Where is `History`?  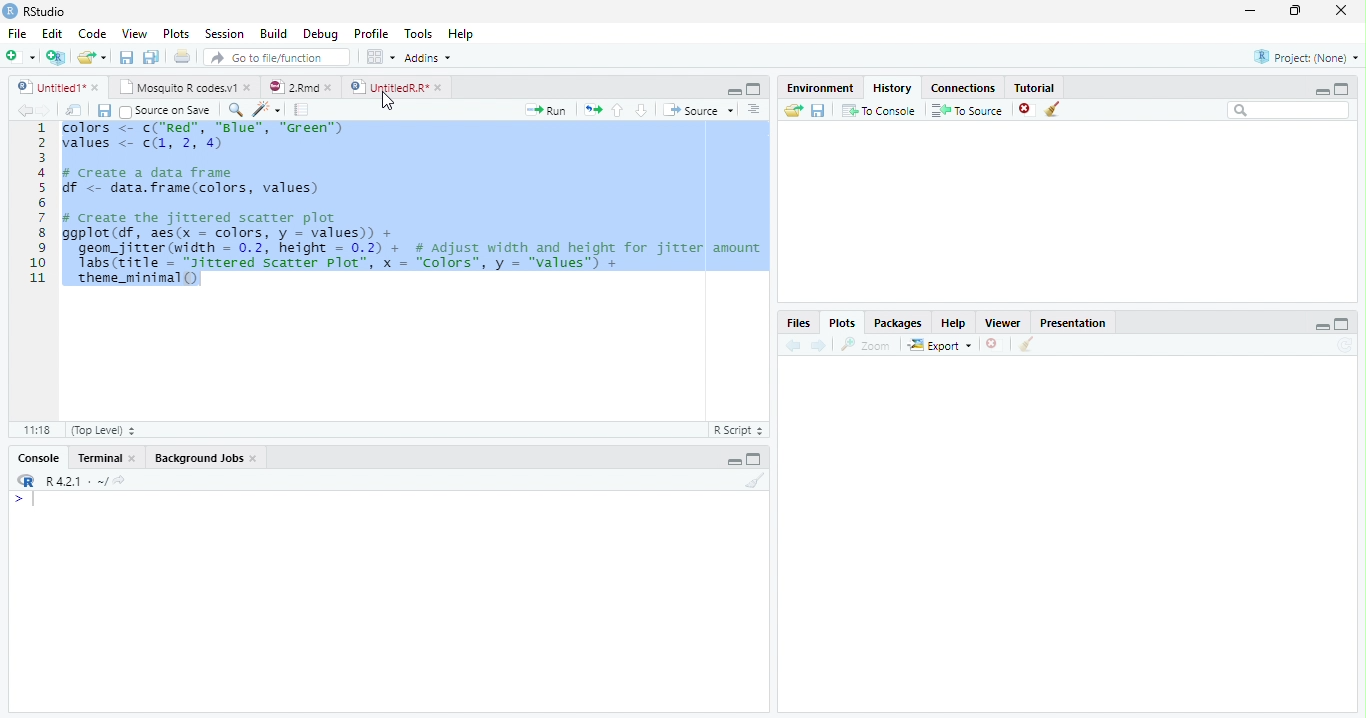
History is located at coordinates (893, 88).